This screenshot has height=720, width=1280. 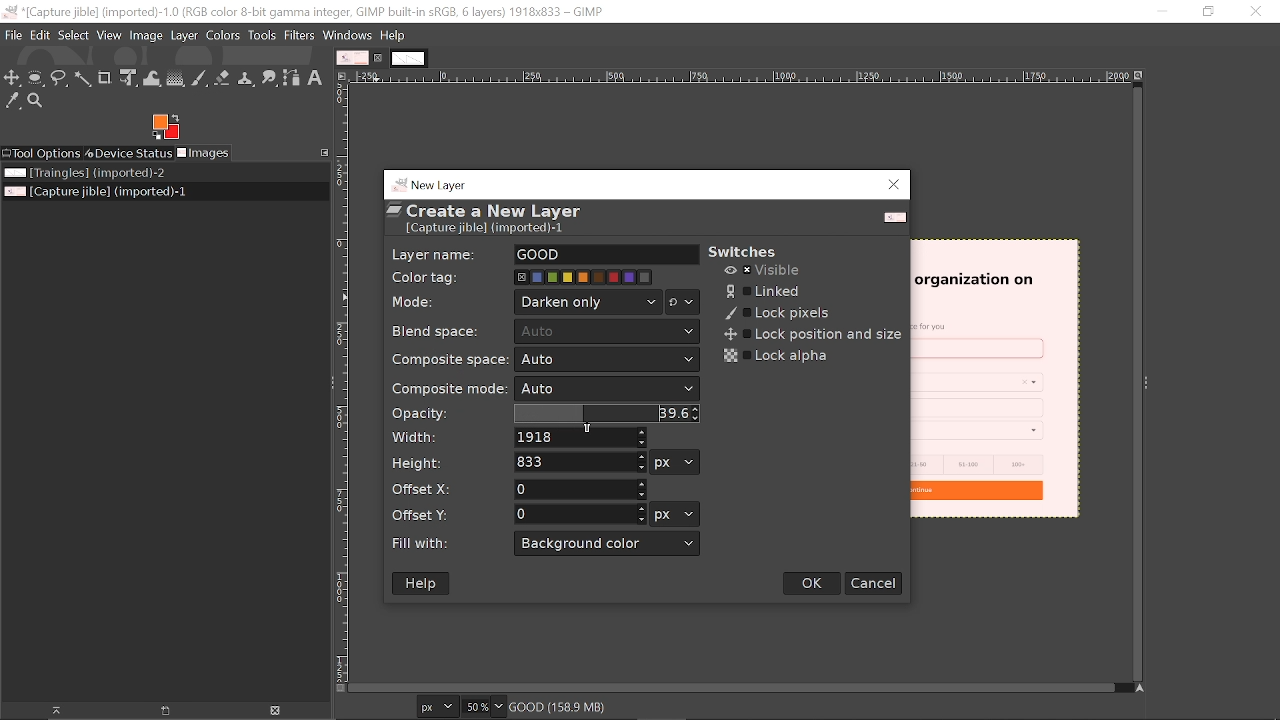 What do you see at coordinates (109, 35) in the screenshot?
I see `View` at bounding box center [109, 35].